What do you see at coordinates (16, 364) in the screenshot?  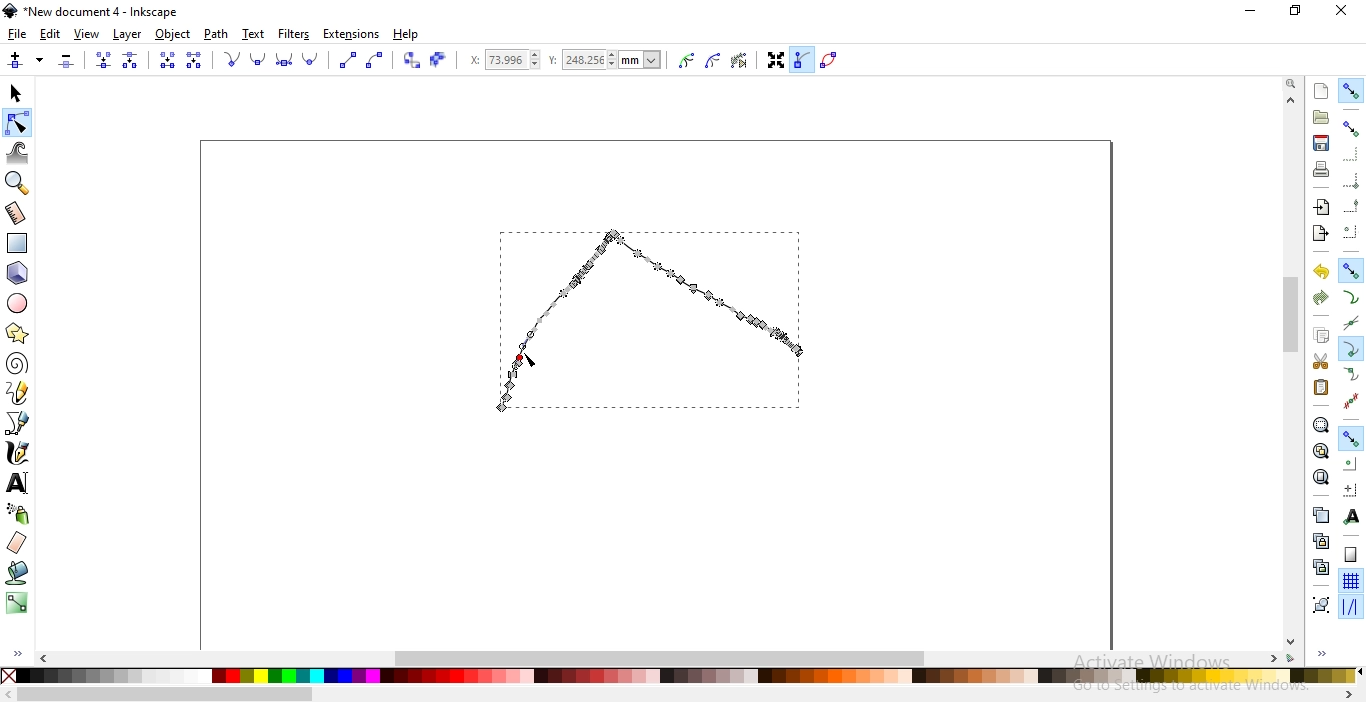 I see `create spirals` at bounding box center [16, 364].